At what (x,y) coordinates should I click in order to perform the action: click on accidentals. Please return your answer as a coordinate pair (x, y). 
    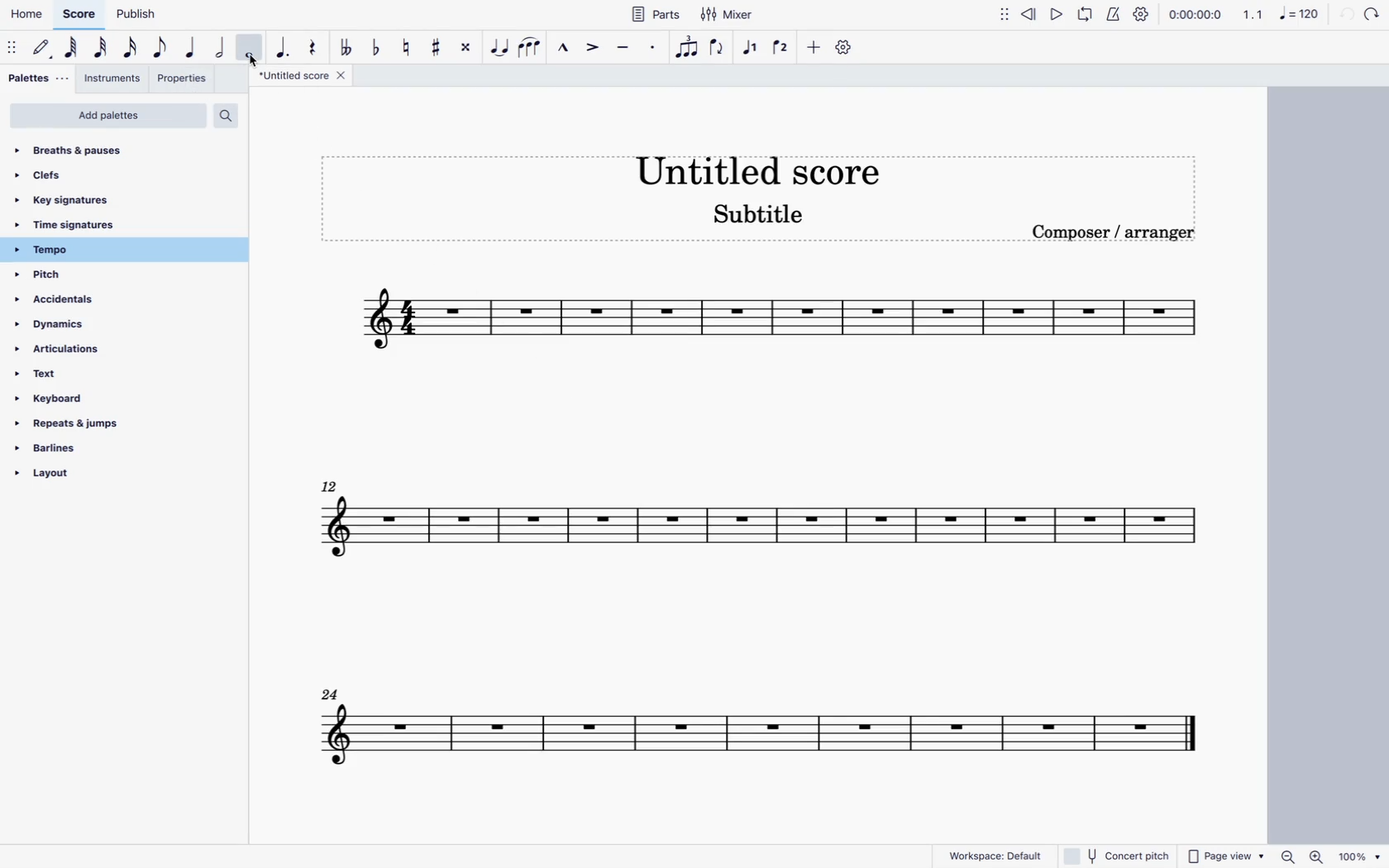
    Looking at the image, I should click on (65, 299).